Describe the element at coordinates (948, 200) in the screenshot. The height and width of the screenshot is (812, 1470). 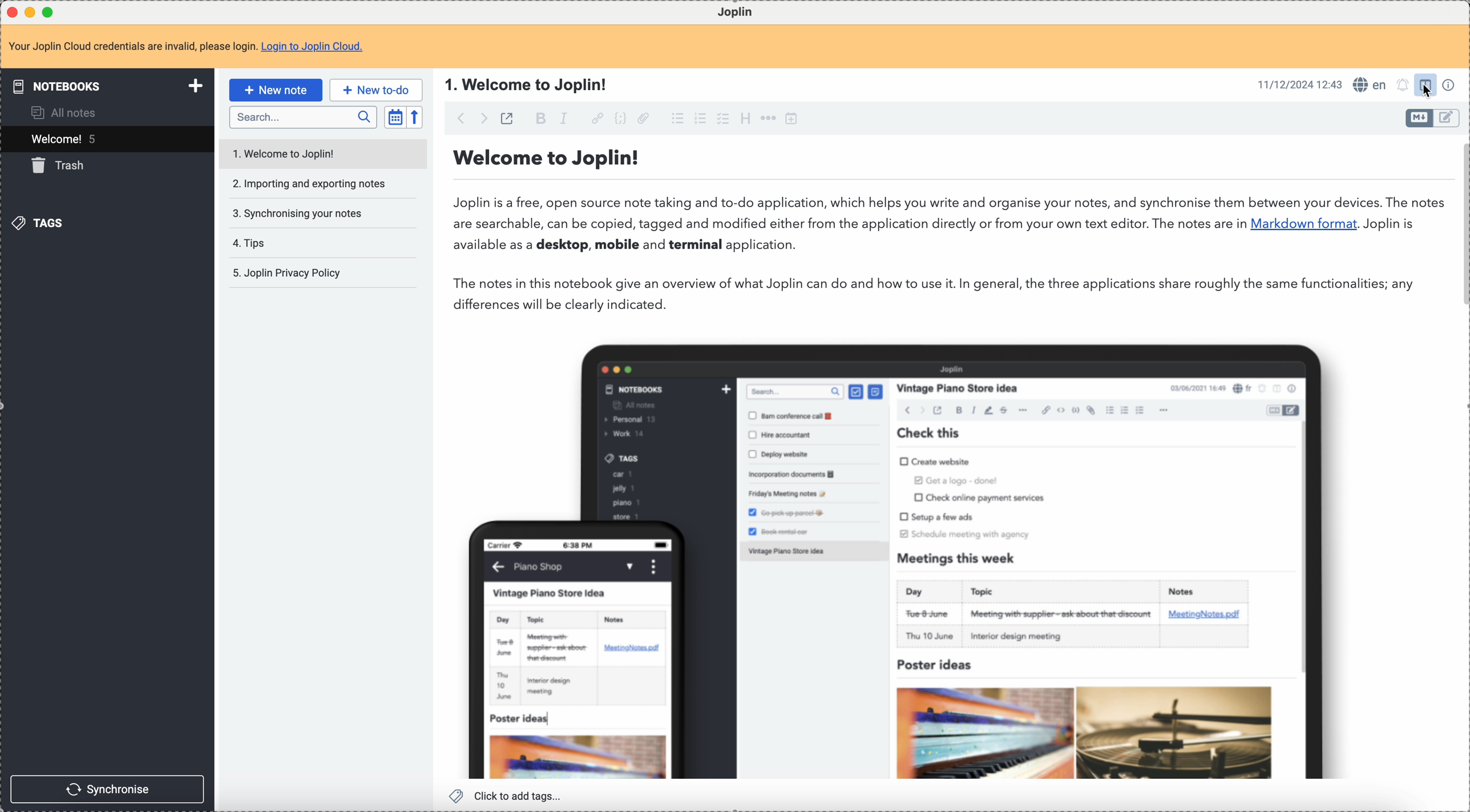
I see `Joplin is a free, open source note taking and to-do application, which helps you write and organise your notes, and synchronise them between your devices. The notes` at that location.